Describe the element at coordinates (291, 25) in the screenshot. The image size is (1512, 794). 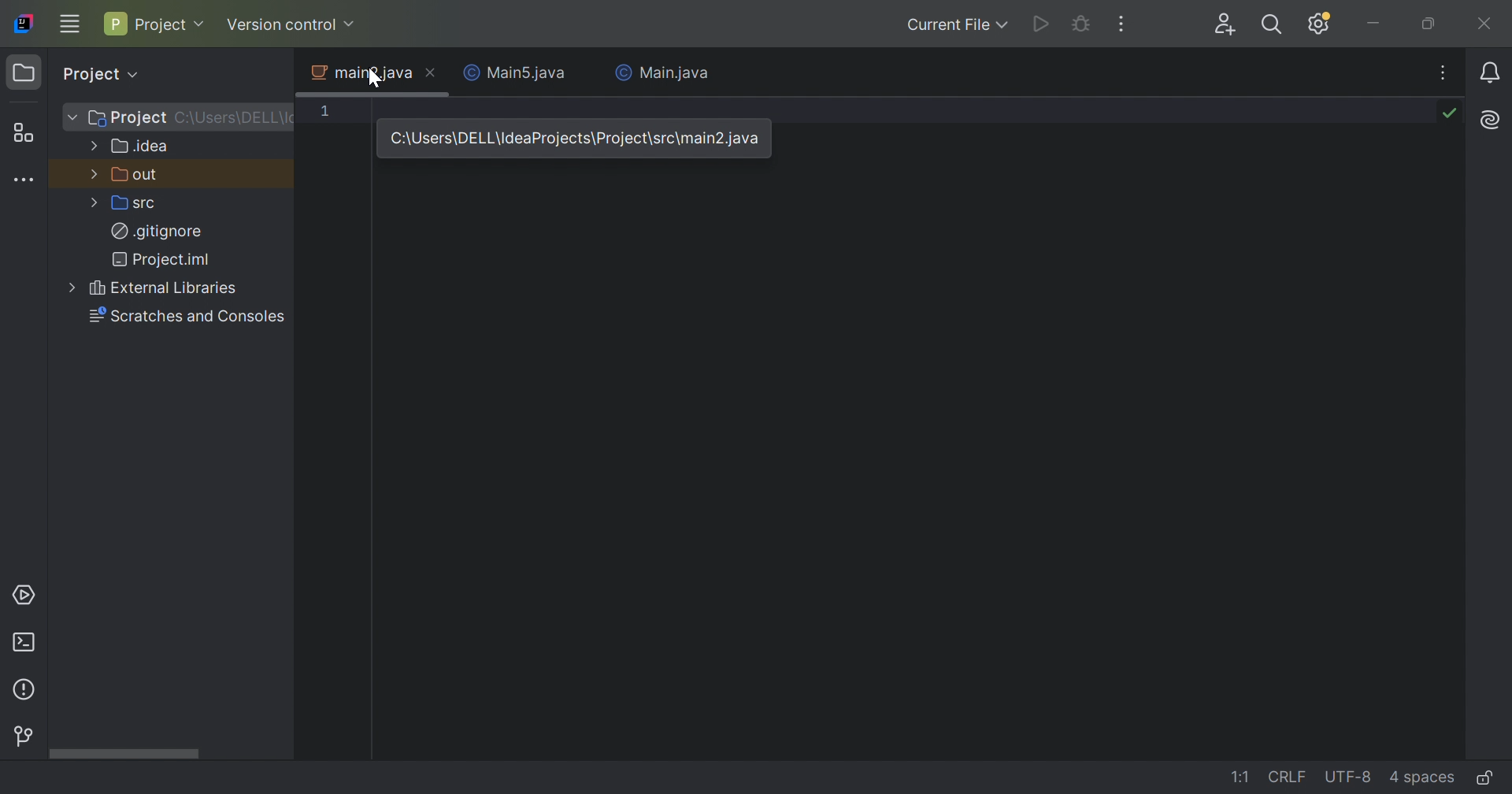
I see `Version control` at that location.